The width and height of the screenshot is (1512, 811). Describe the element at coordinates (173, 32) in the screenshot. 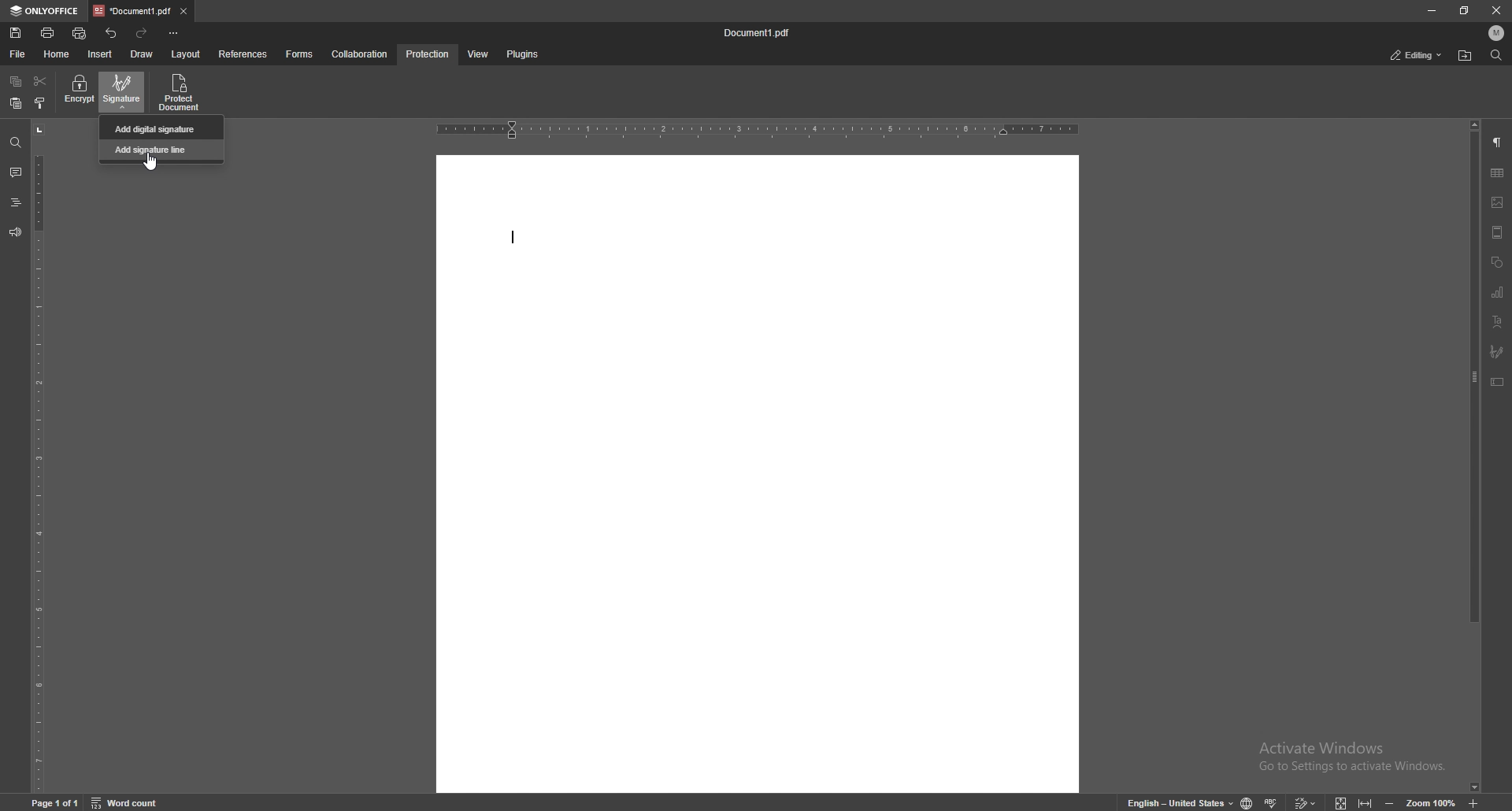

I see `customize toolbar` at that location.